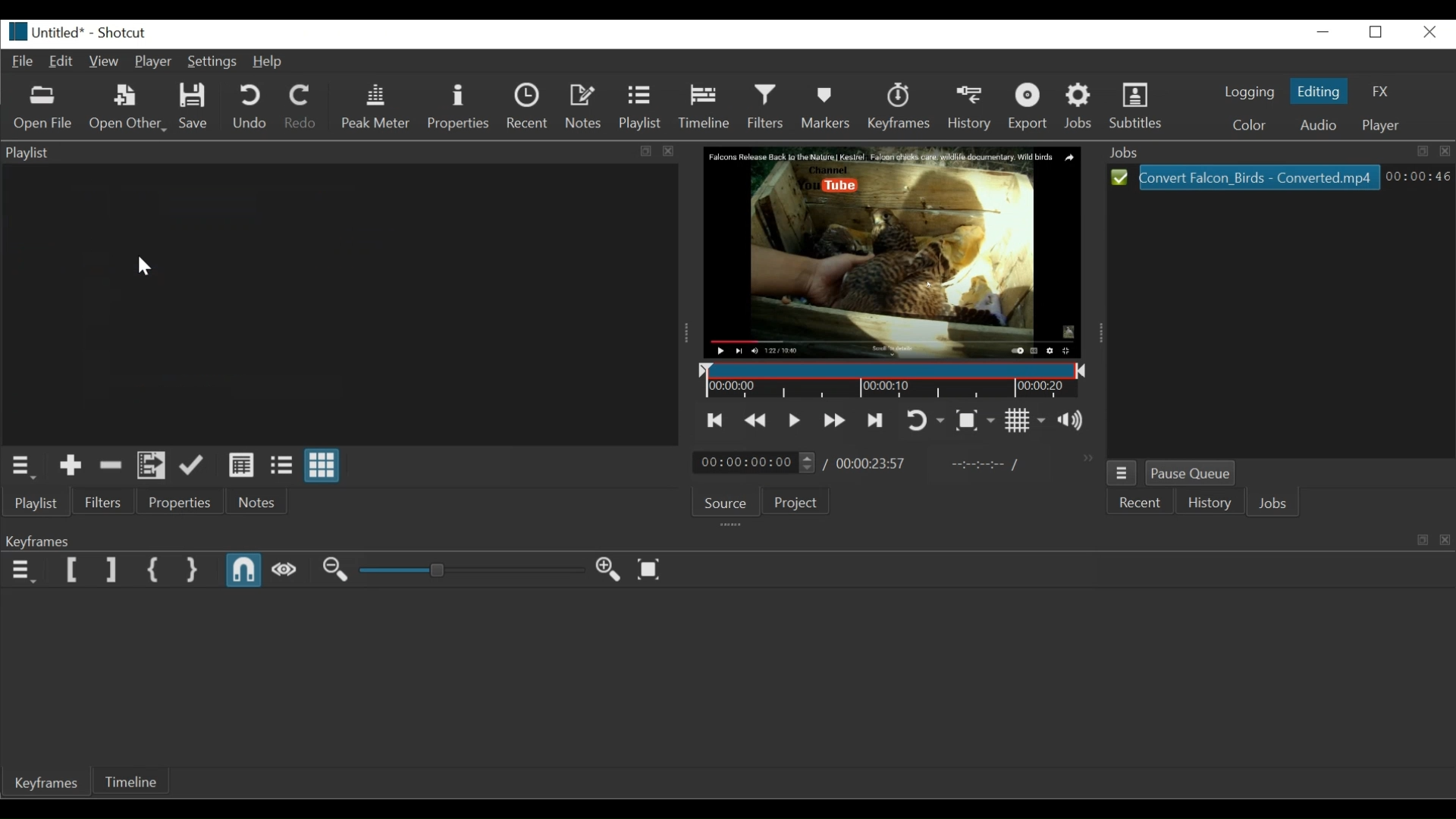  What do you see at coordinates (1375, 33) in the screenshot?
I see `Restore` at bounding box center [1375, 33].